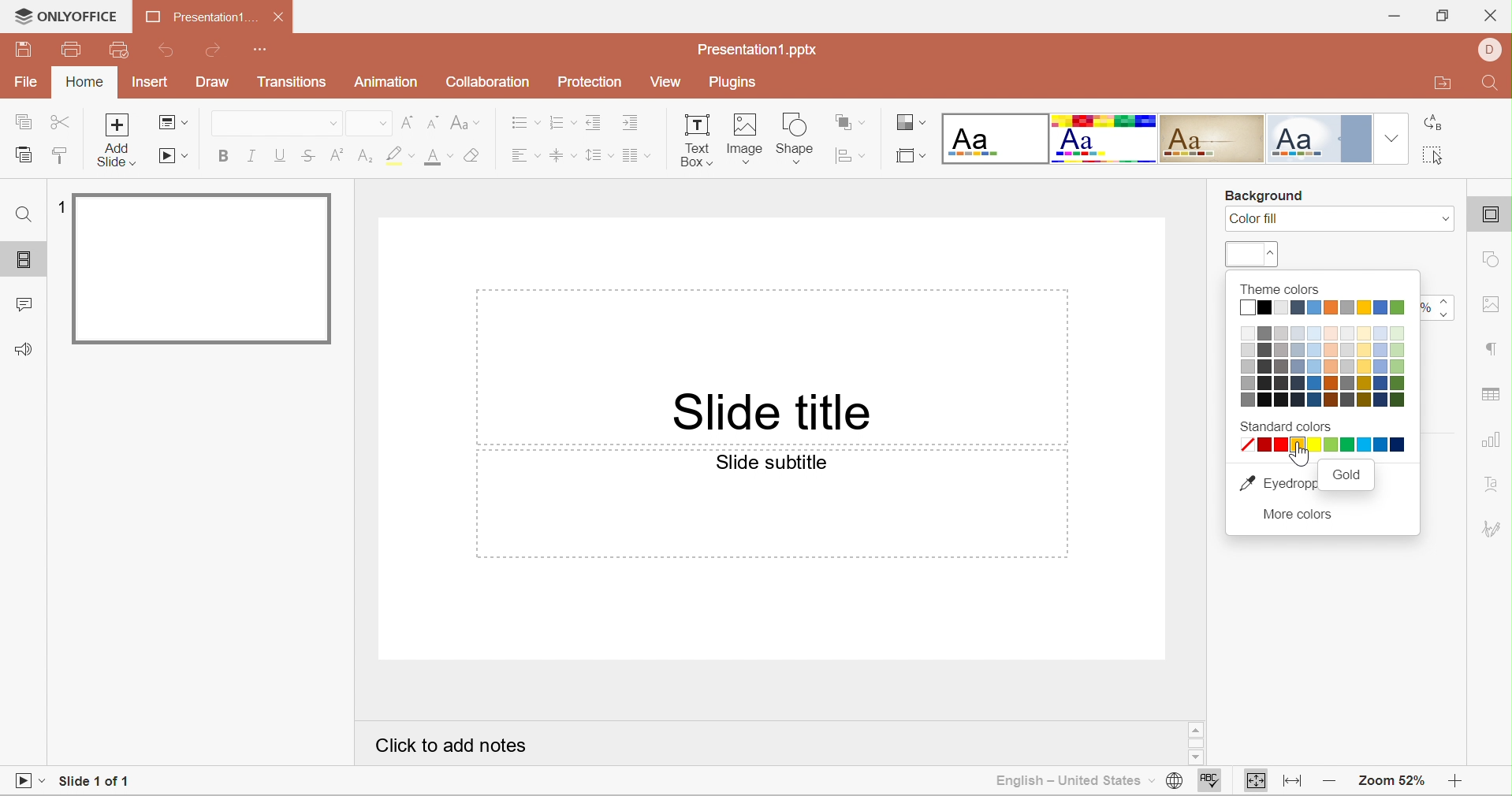 Image resolution: width=1512 pixels, height=796 pixels. What do you see at coordinates (280, 17) in the screenshot?
I see `Close` at bounding box center [280, 17].